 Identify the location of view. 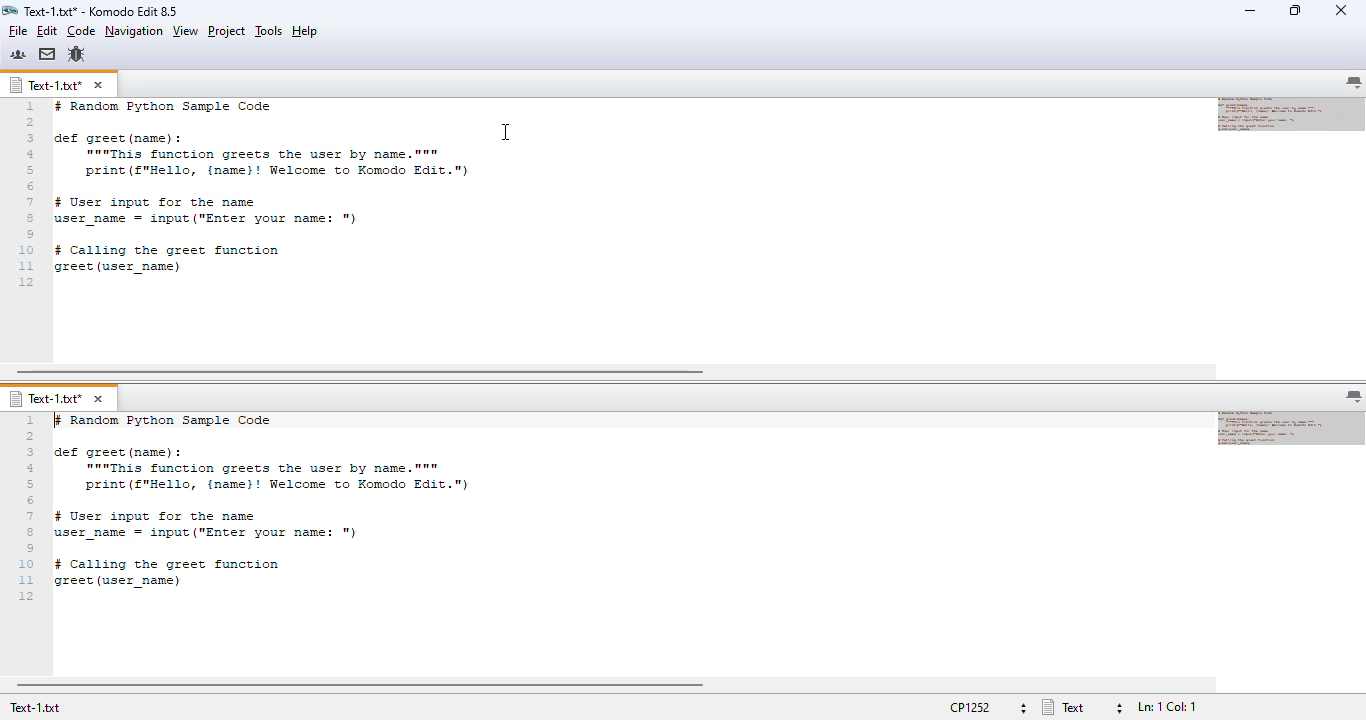
(185, 31).